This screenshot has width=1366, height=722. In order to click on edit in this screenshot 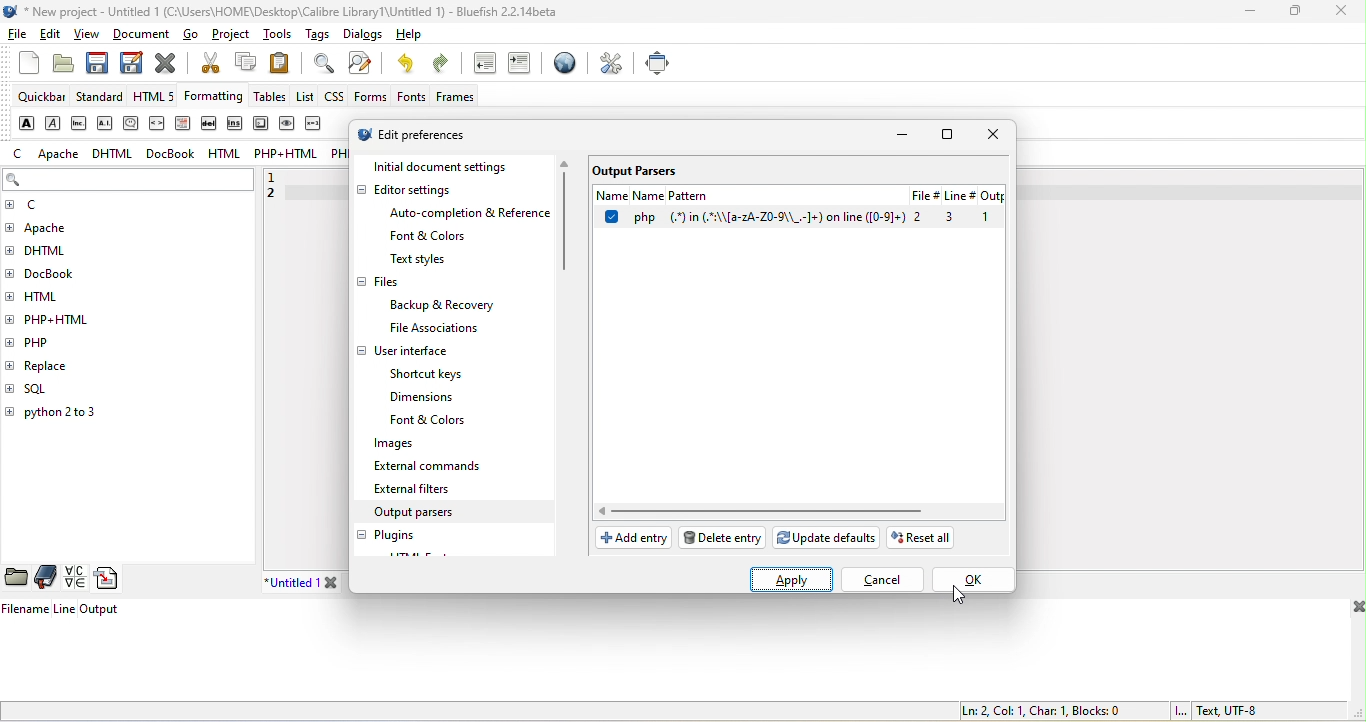, I will do `click(55, 34)`.